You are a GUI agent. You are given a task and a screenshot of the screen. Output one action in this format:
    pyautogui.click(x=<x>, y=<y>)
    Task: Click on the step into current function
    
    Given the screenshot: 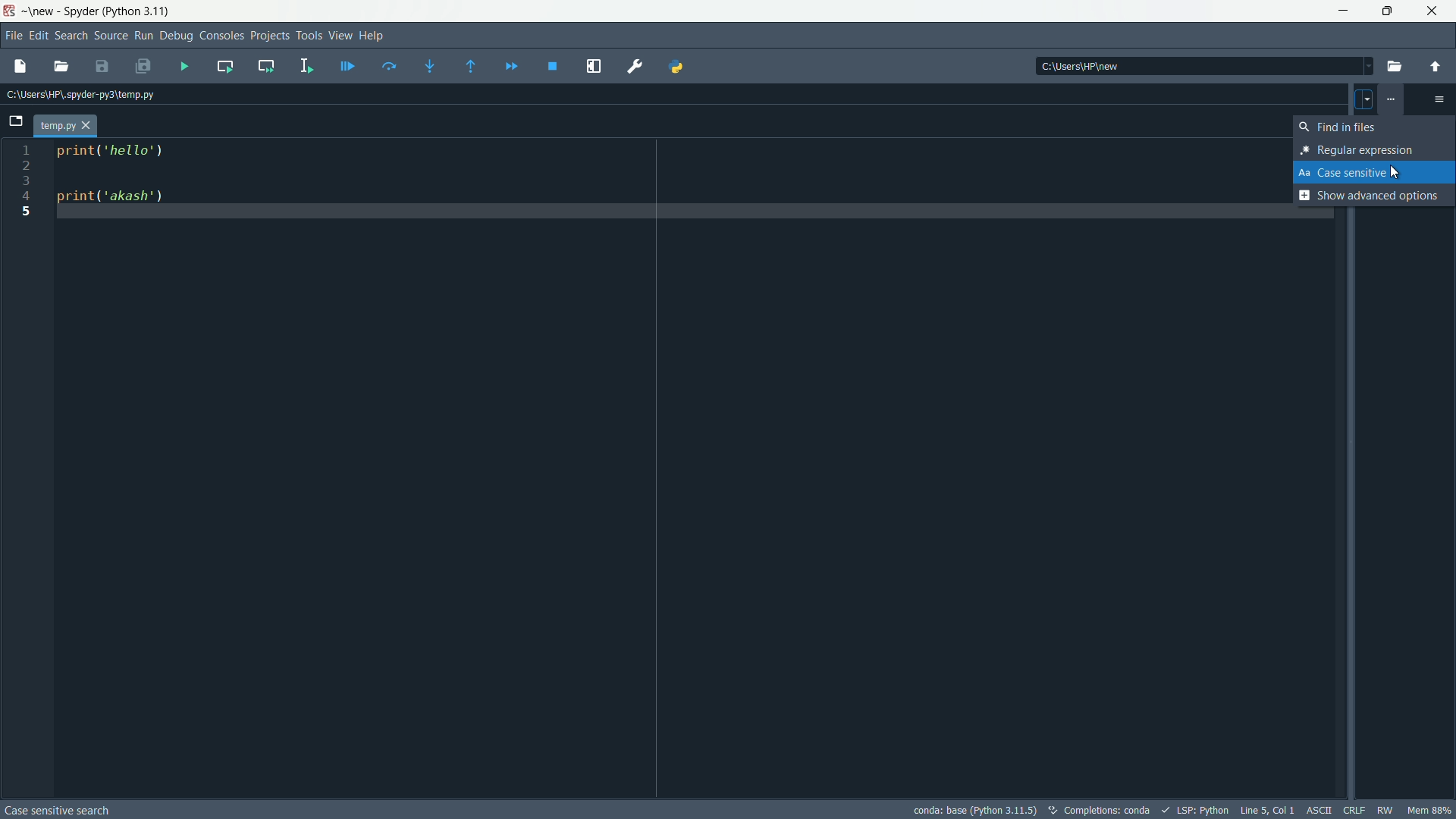 What is the action you would take?
    pyautogui.click(x=430, y=67)
    